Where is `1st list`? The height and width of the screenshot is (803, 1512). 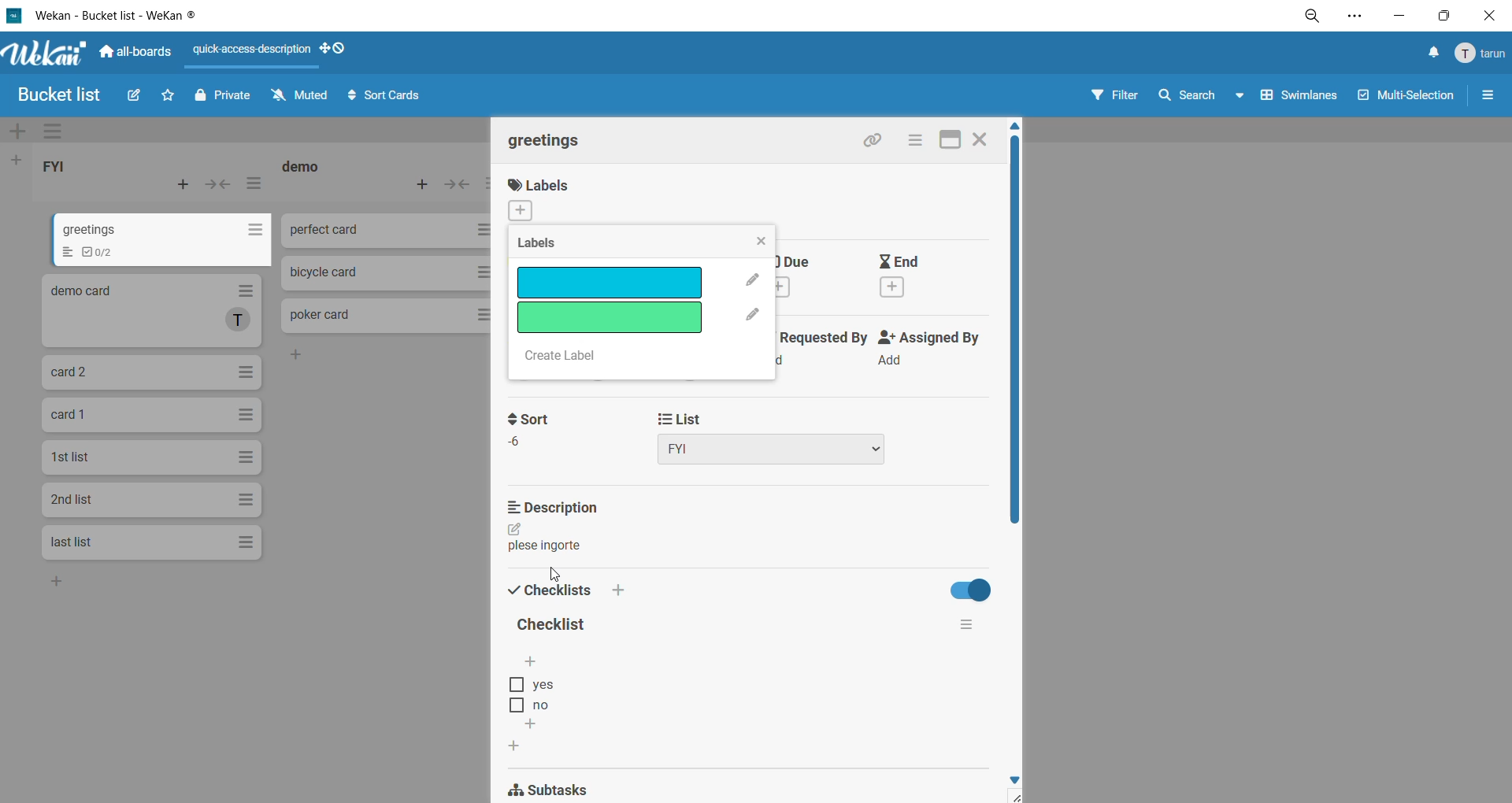
1st list is located at coordinates (157, 460).